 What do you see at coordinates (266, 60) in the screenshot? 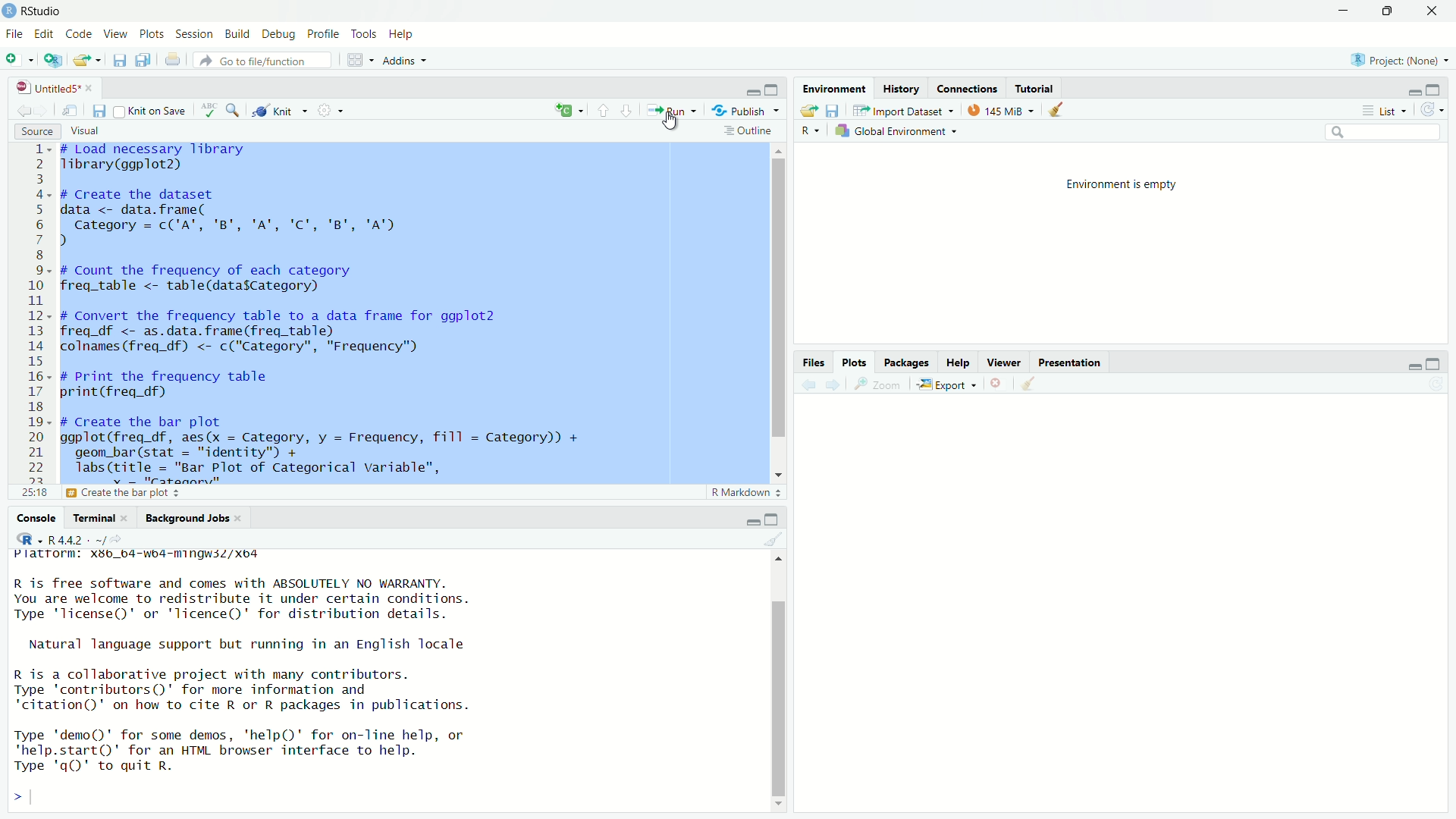
I see `Go to file/function` at bounding box center [266, 60].